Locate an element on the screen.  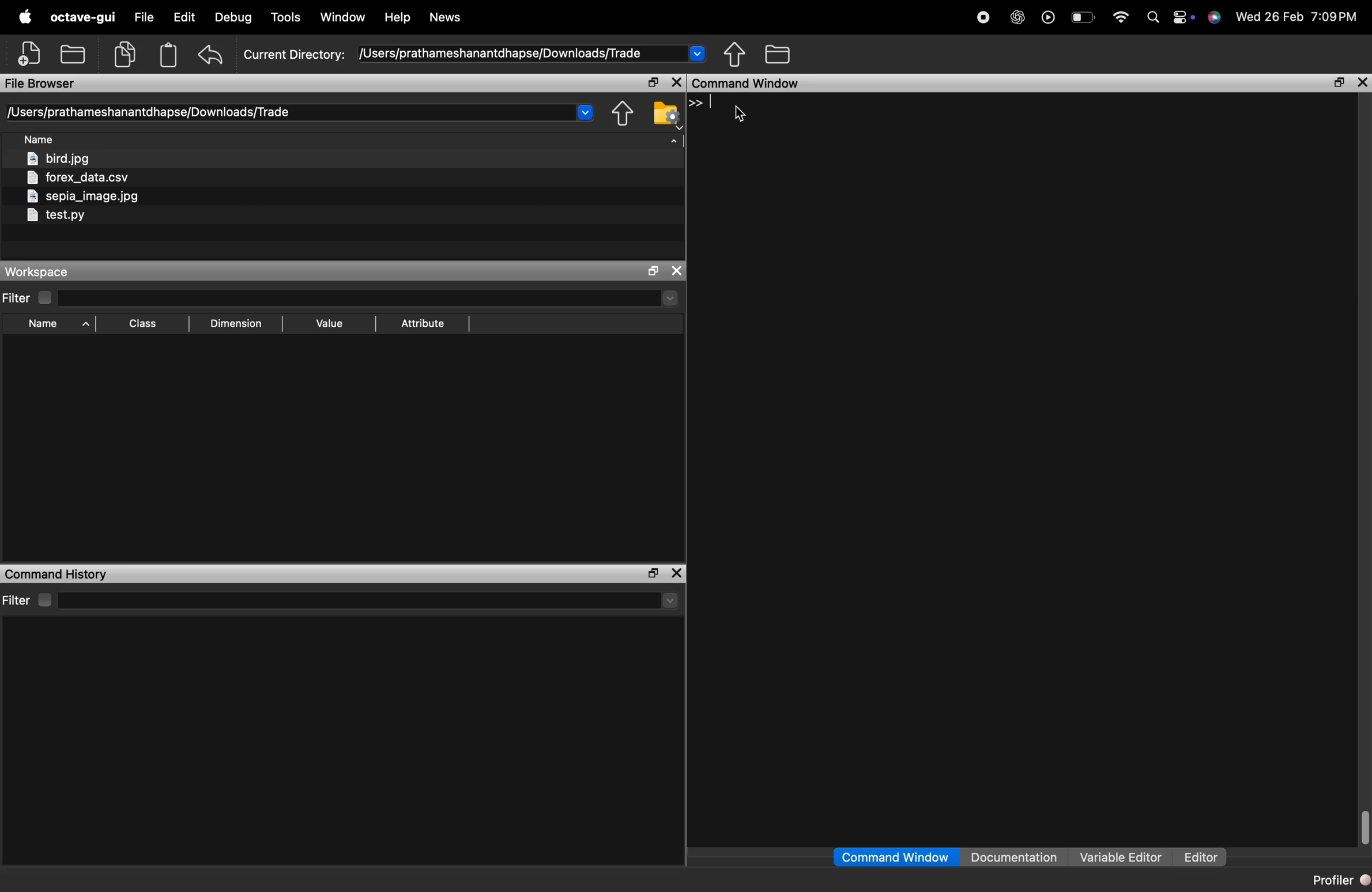
variable editor is located at coordinates (1121, 857).